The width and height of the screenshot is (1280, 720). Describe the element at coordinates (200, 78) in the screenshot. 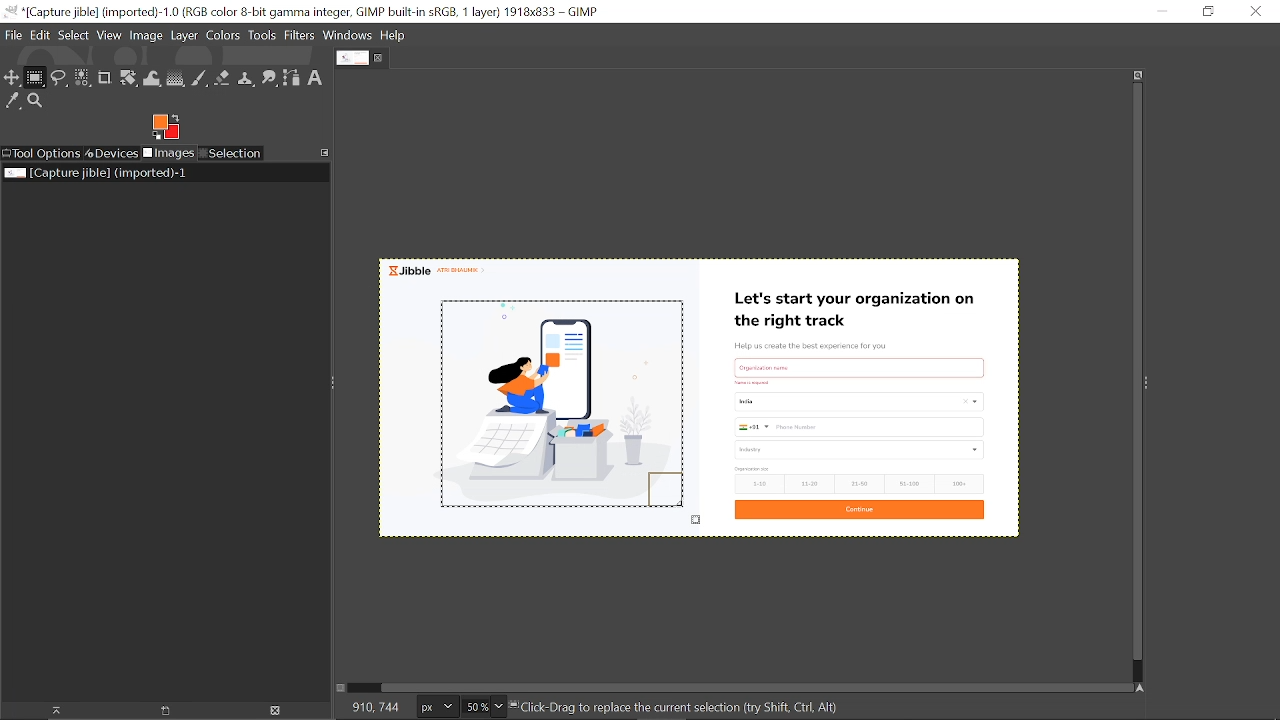

I see `Paintbrush tool` at that location.